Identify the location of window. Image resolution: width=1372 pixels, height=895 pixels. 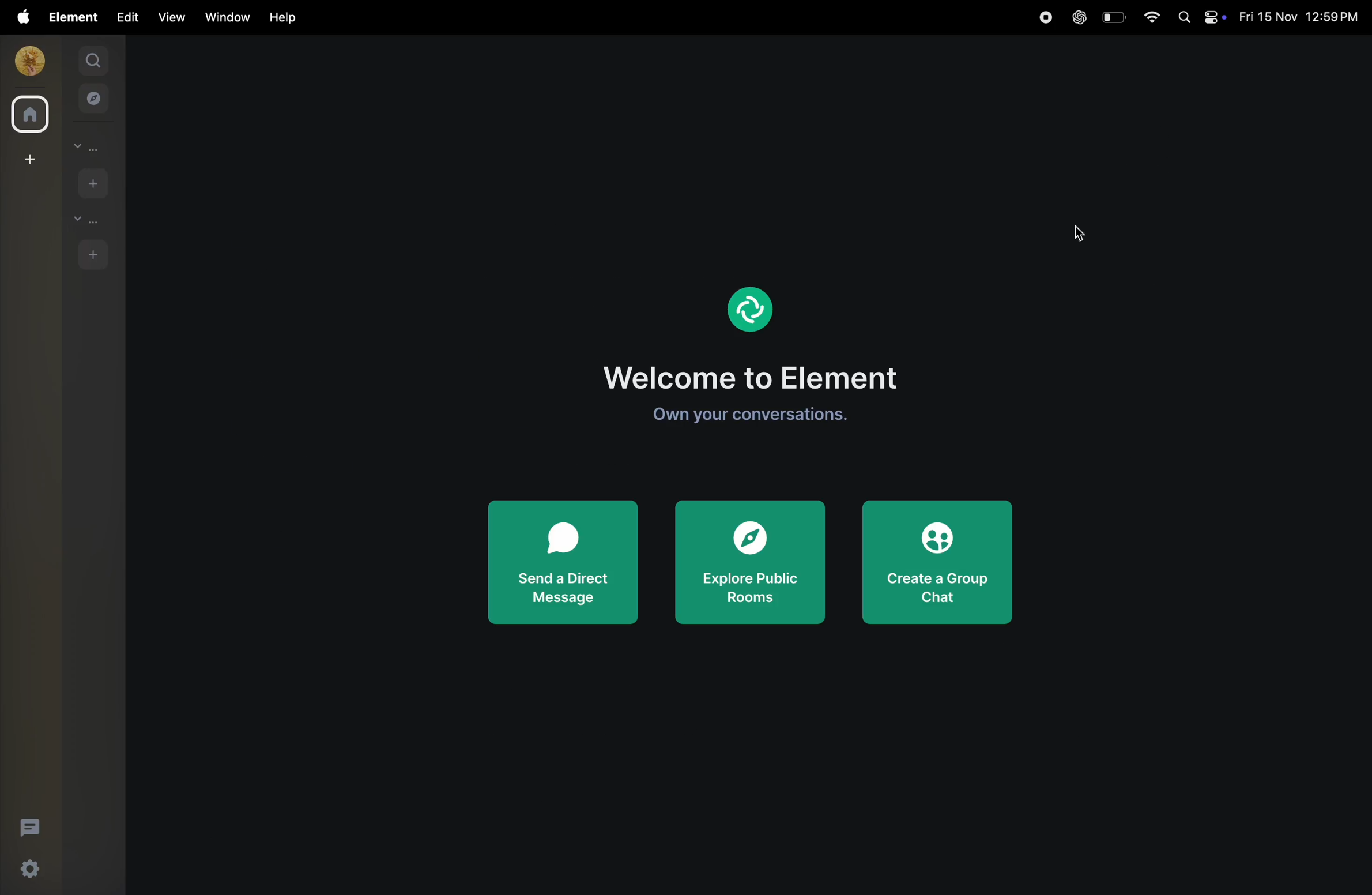
(225, 16).